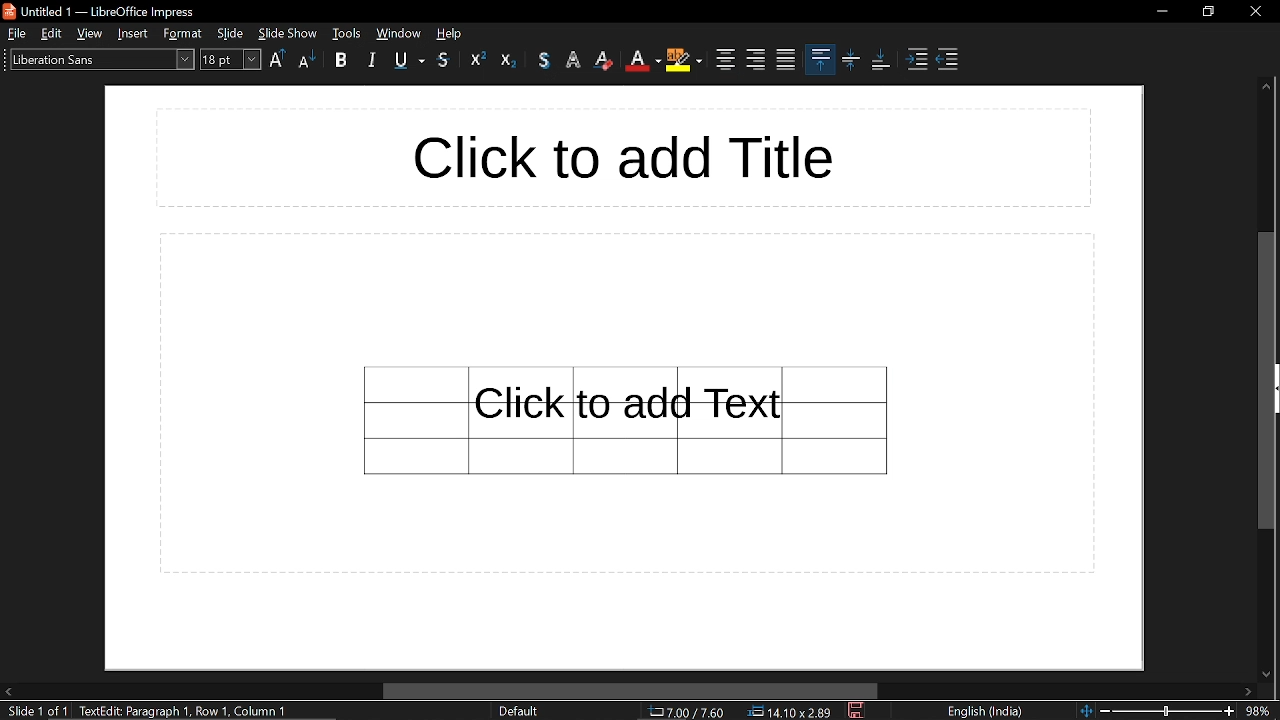 The image size is (1280, 720). Describe the element at coordinates (183, 34) in the screenshot. I see `format` at that location.